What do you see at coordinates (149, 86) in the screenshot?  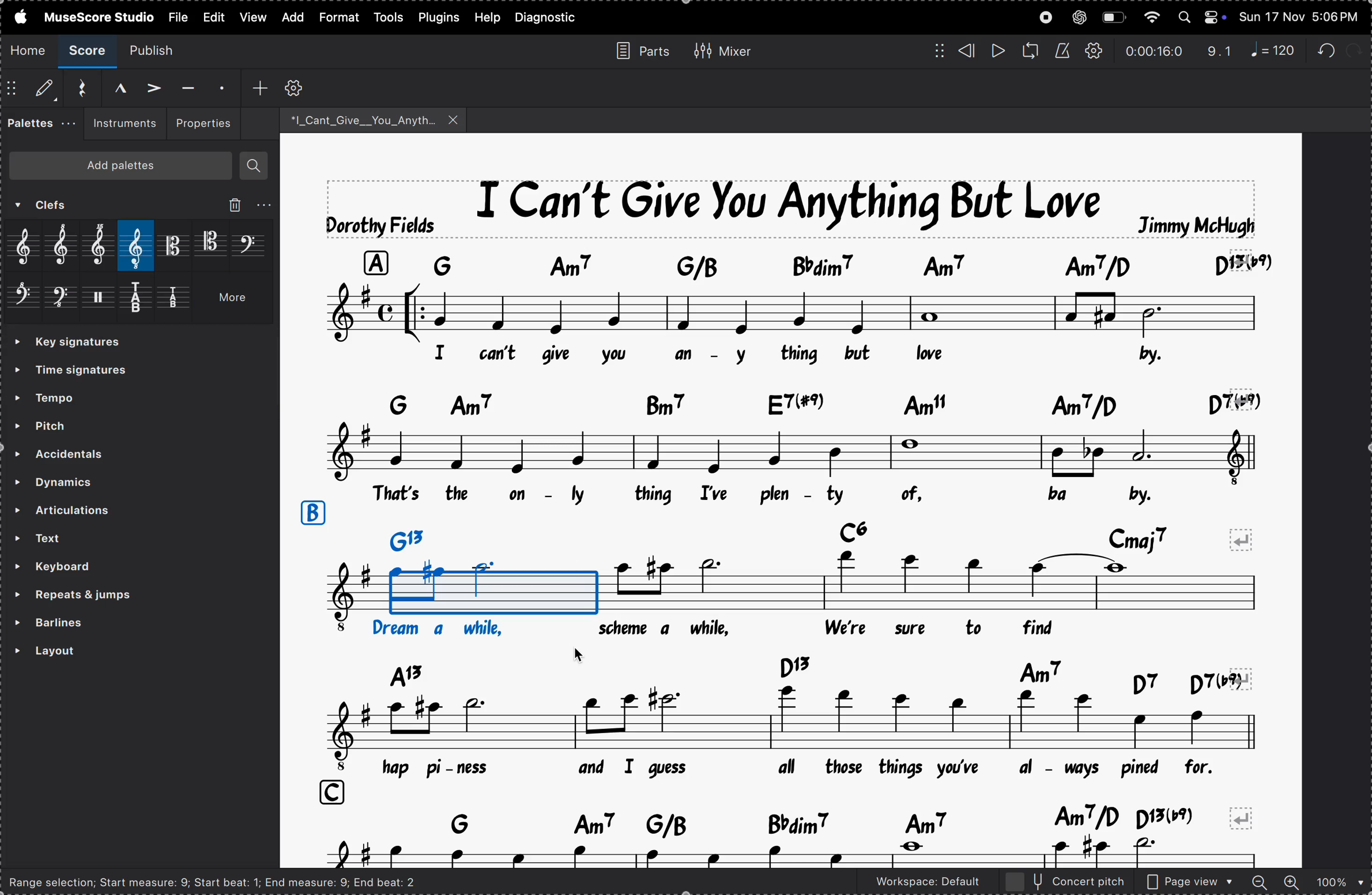 I see `accent` at bounding box center [149, 86].